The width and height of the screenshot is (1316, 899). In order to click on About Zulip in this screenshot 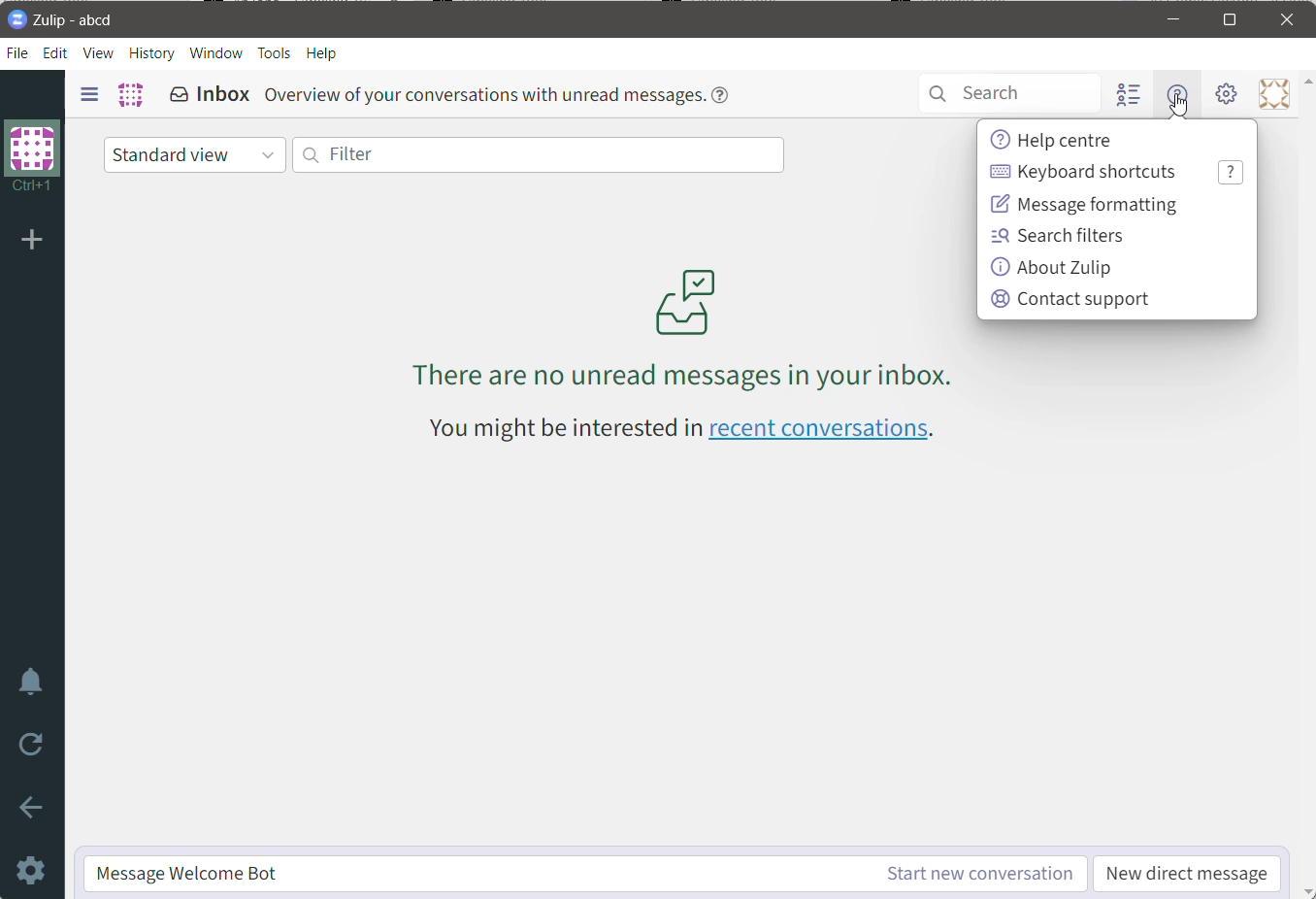, I will do `click(1050, 266)`.